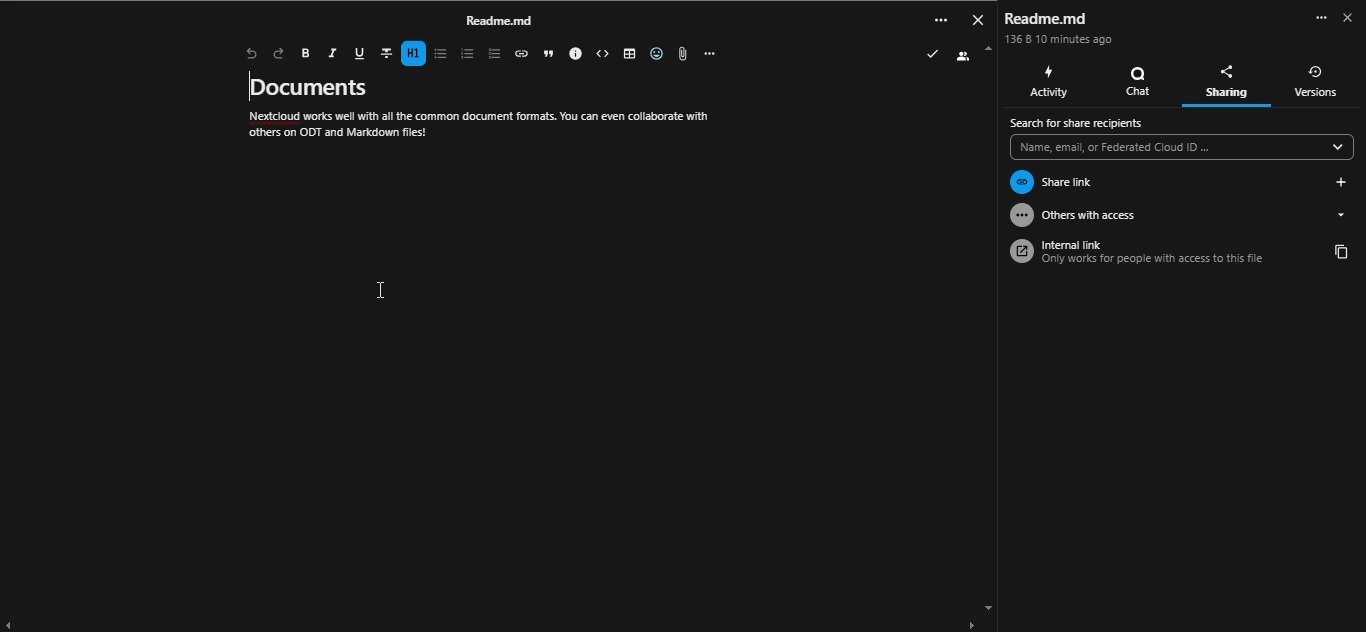  Describe the element at coordinates (710, 55) in the screenshot. I see `more` at that location.